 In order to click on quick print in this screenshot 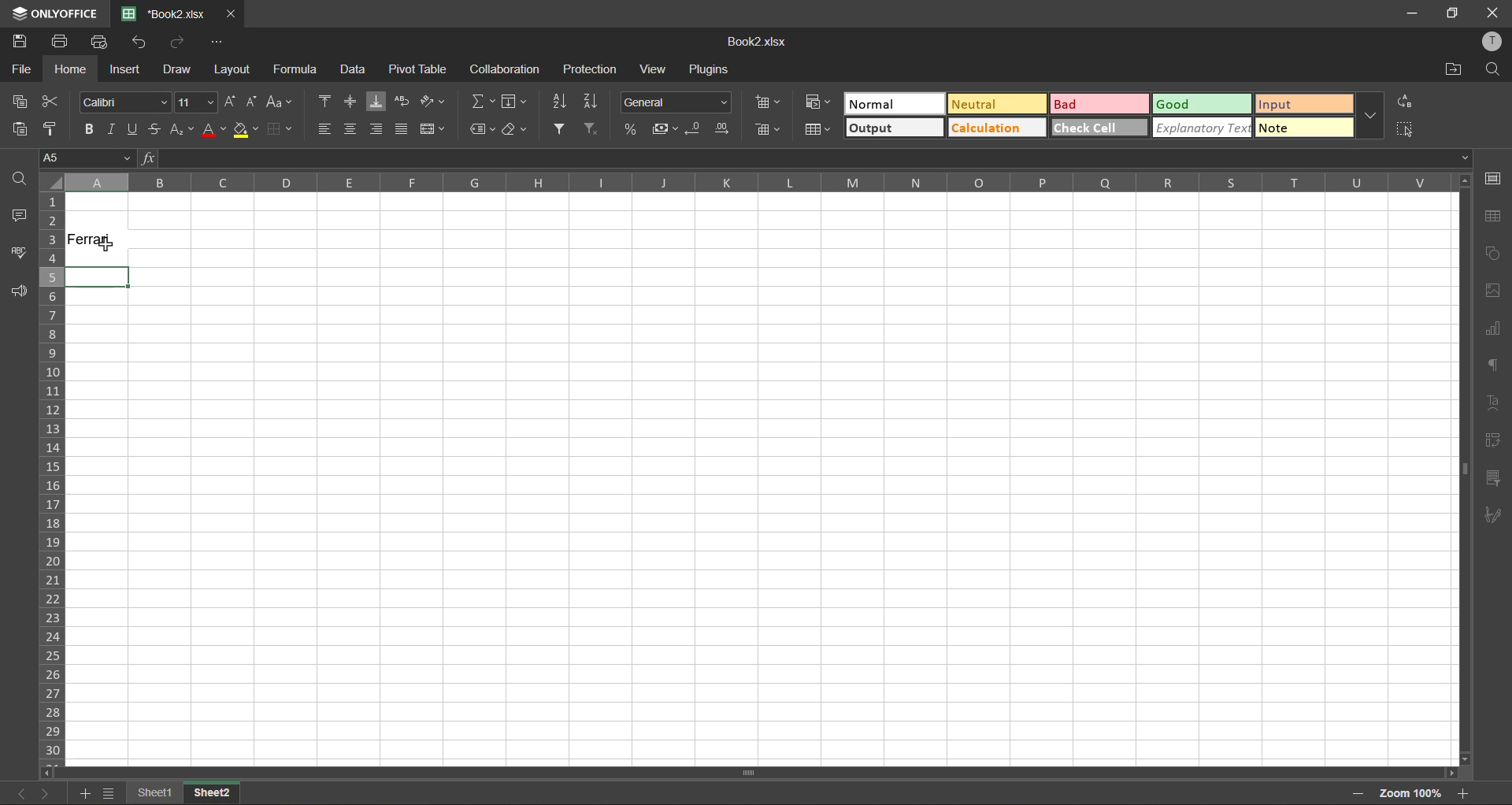, I will do `click(101, 42)`.